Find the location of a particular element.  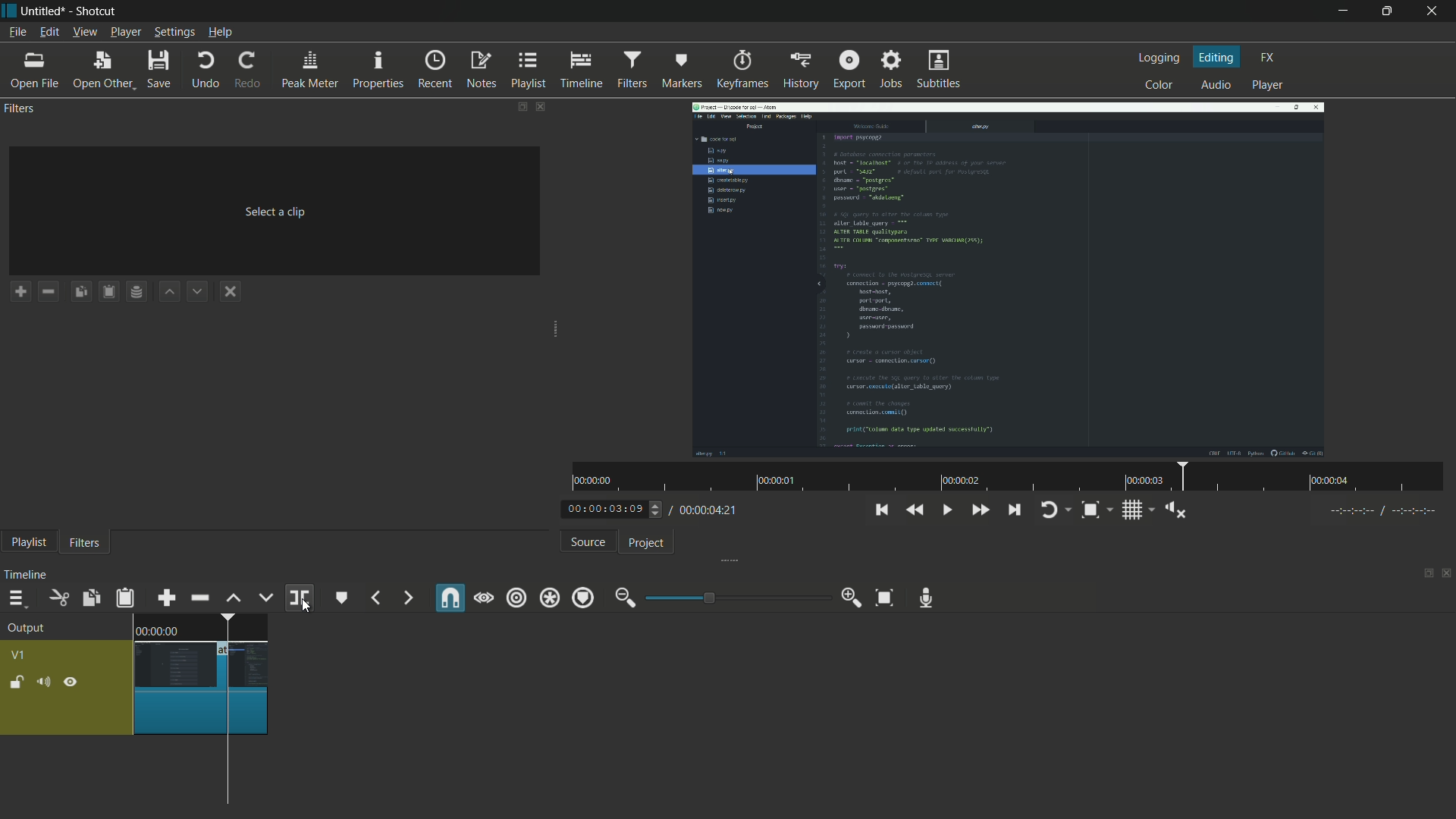

player menu is located at coordinates (127, 33).